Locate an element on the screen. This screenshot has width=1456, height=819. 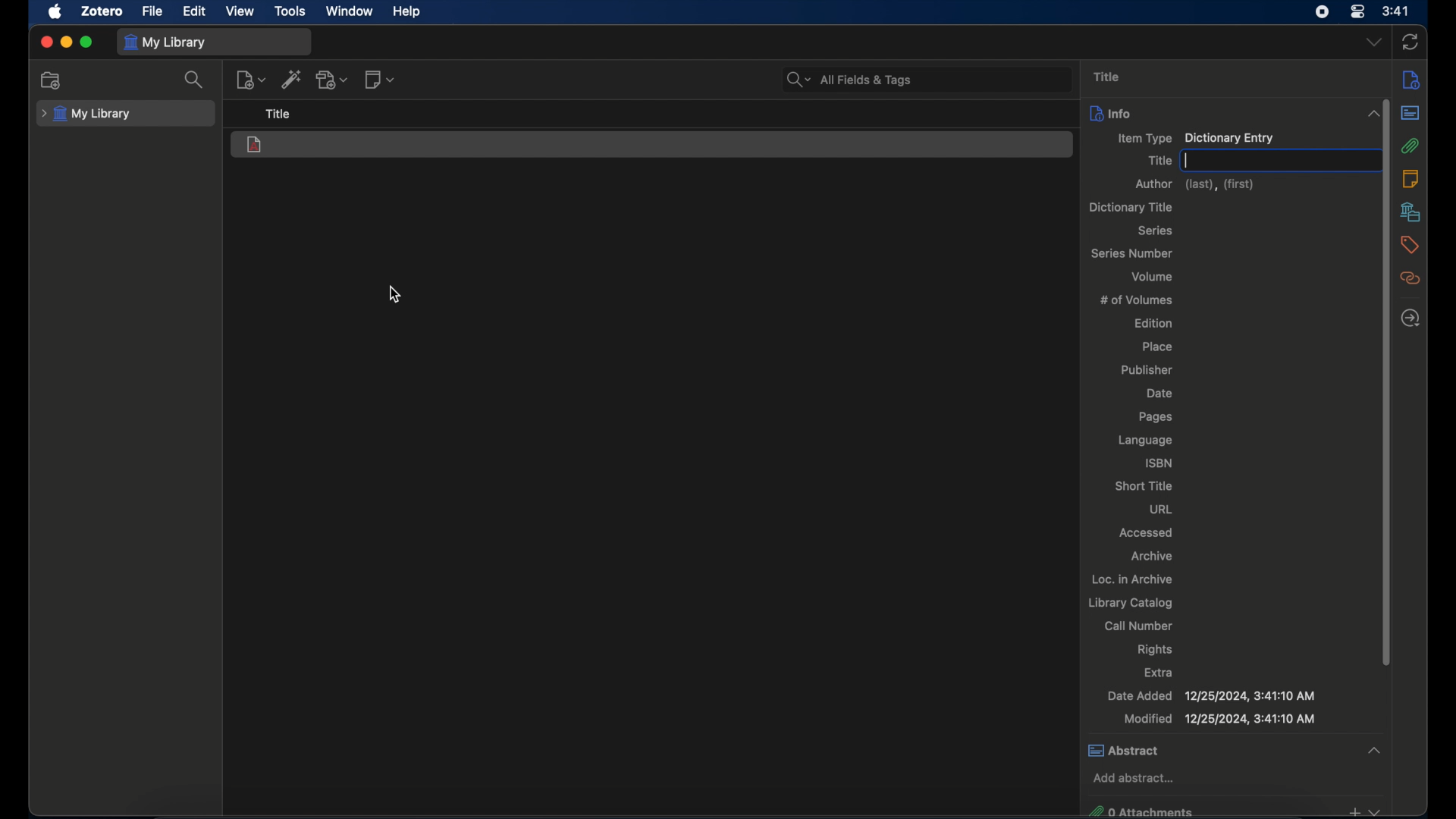
modified is located at coordinates (1219, 719).